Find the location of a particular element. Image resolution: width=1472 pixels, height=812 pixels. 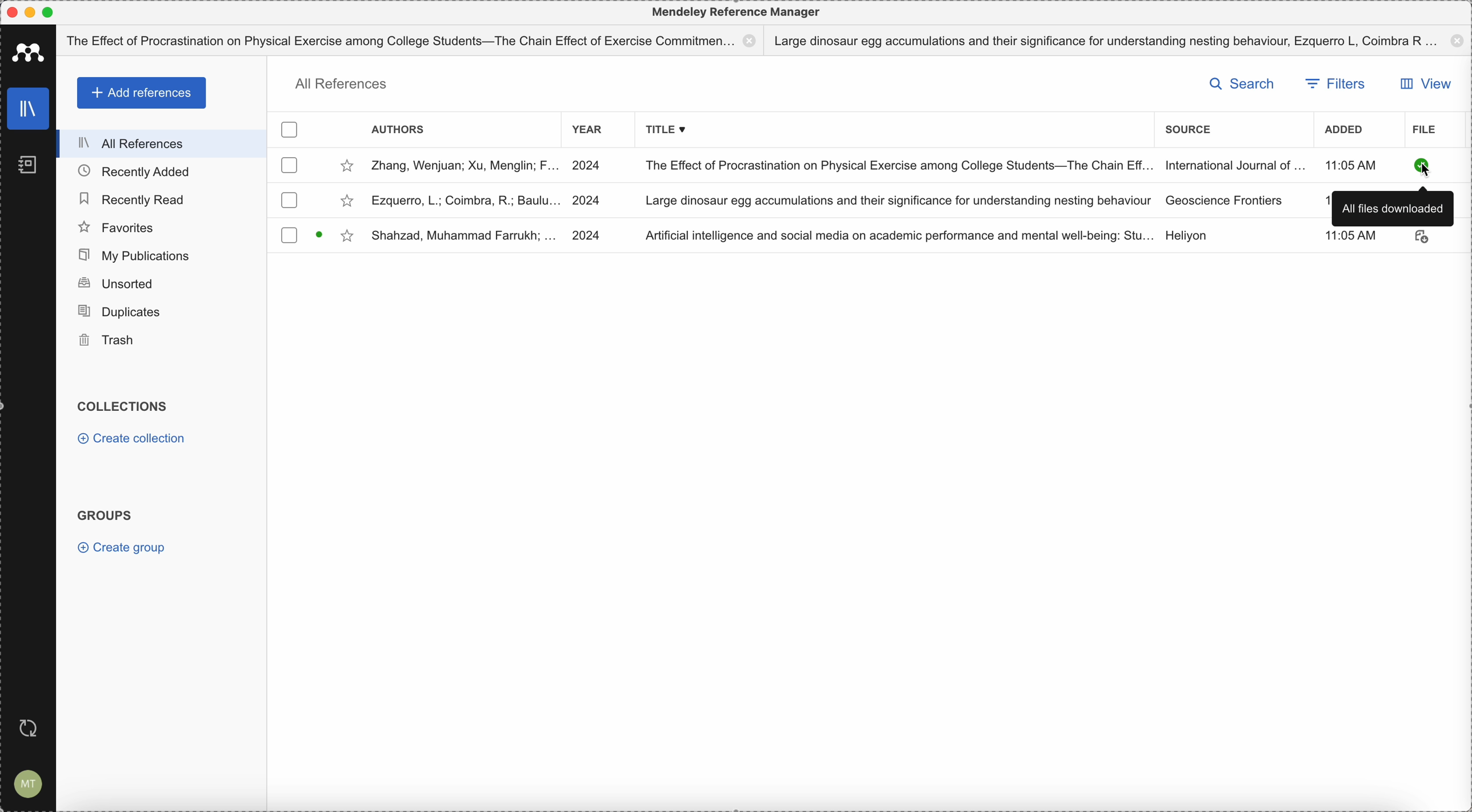

search is located at coordinates (1241, 84).